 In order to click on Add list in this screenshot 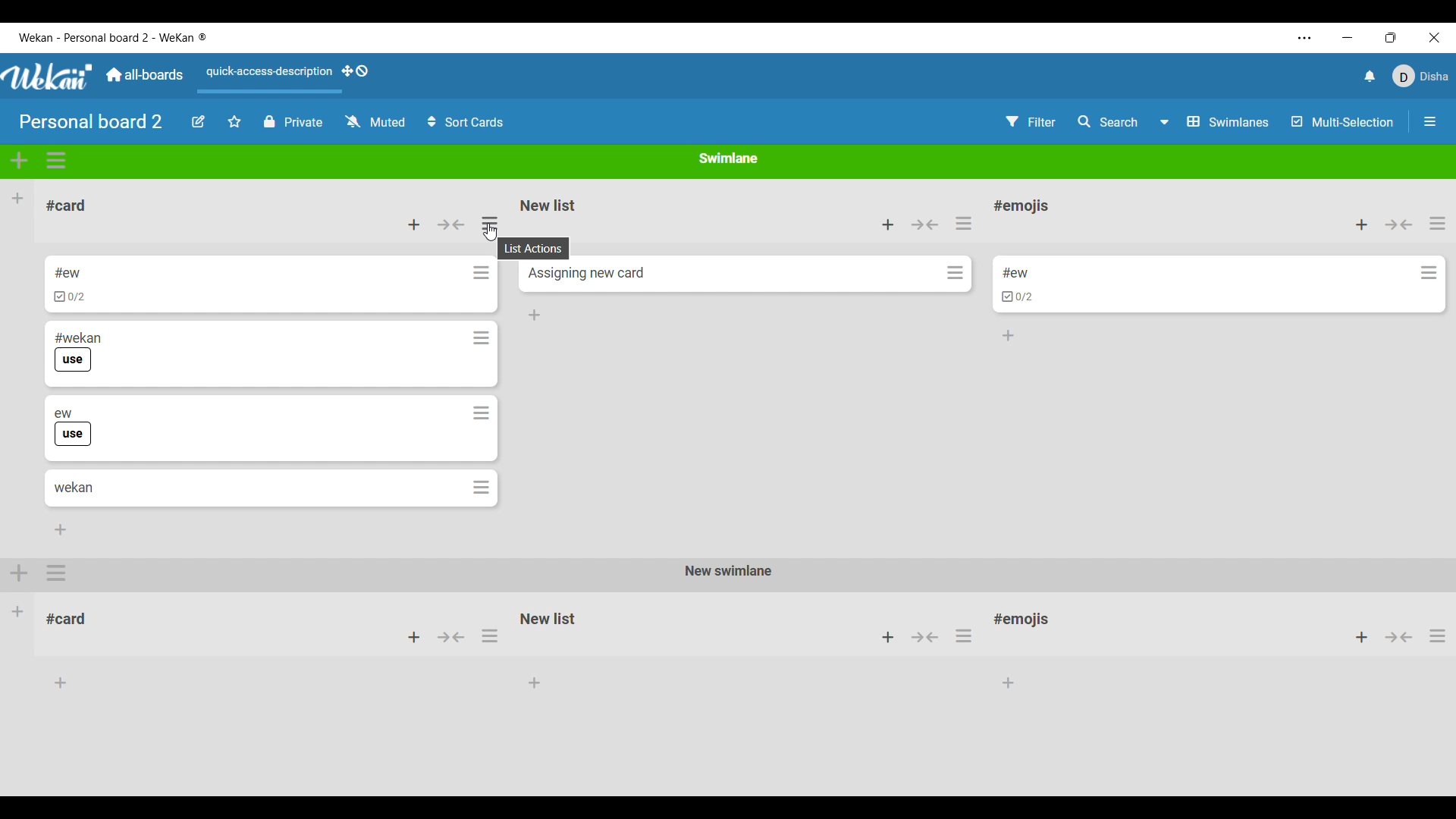, I will do `click(17, 199)`.